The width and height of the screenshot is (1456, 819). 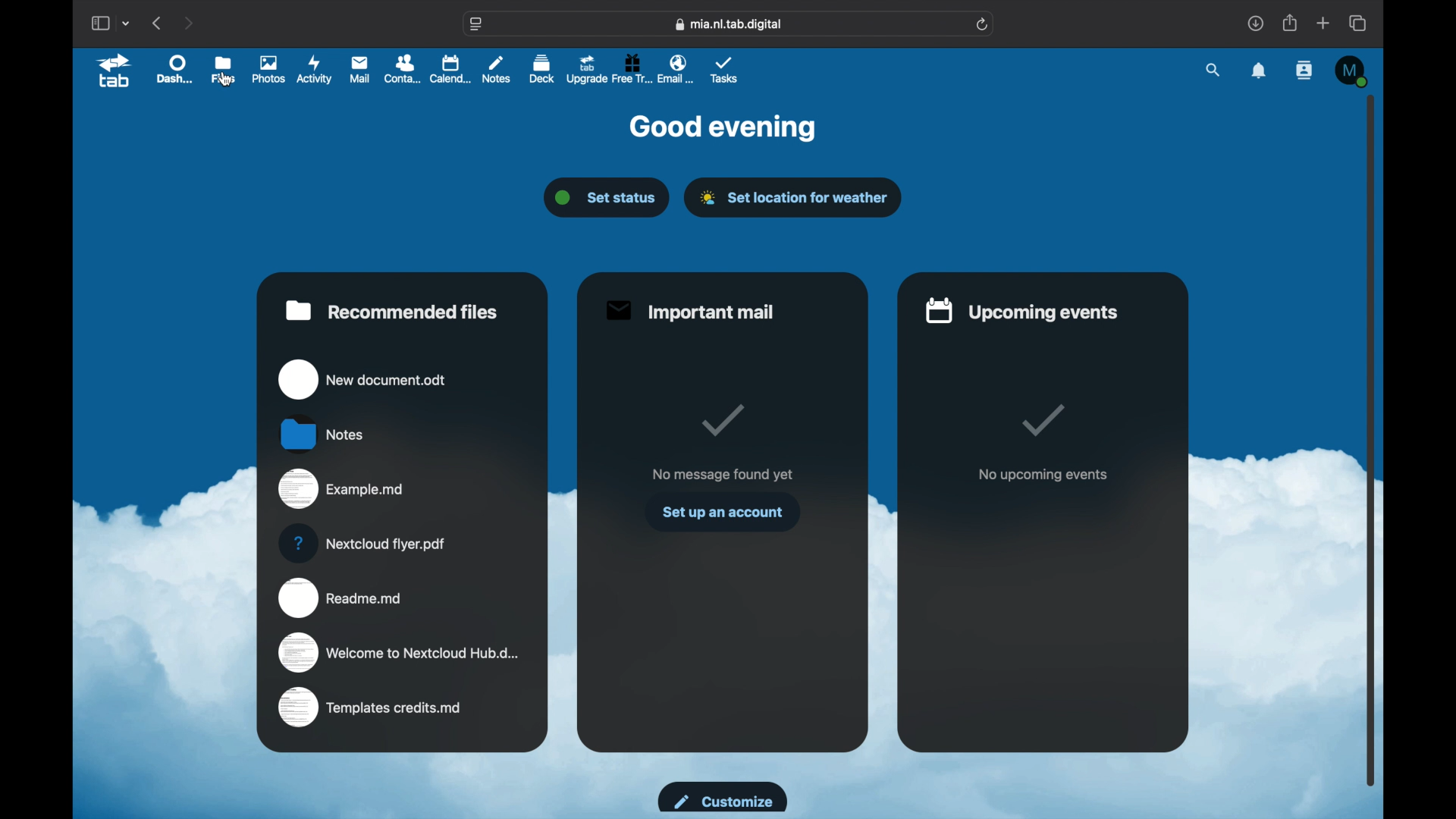 I want to click on recommended files, so click(x=390, y=310).